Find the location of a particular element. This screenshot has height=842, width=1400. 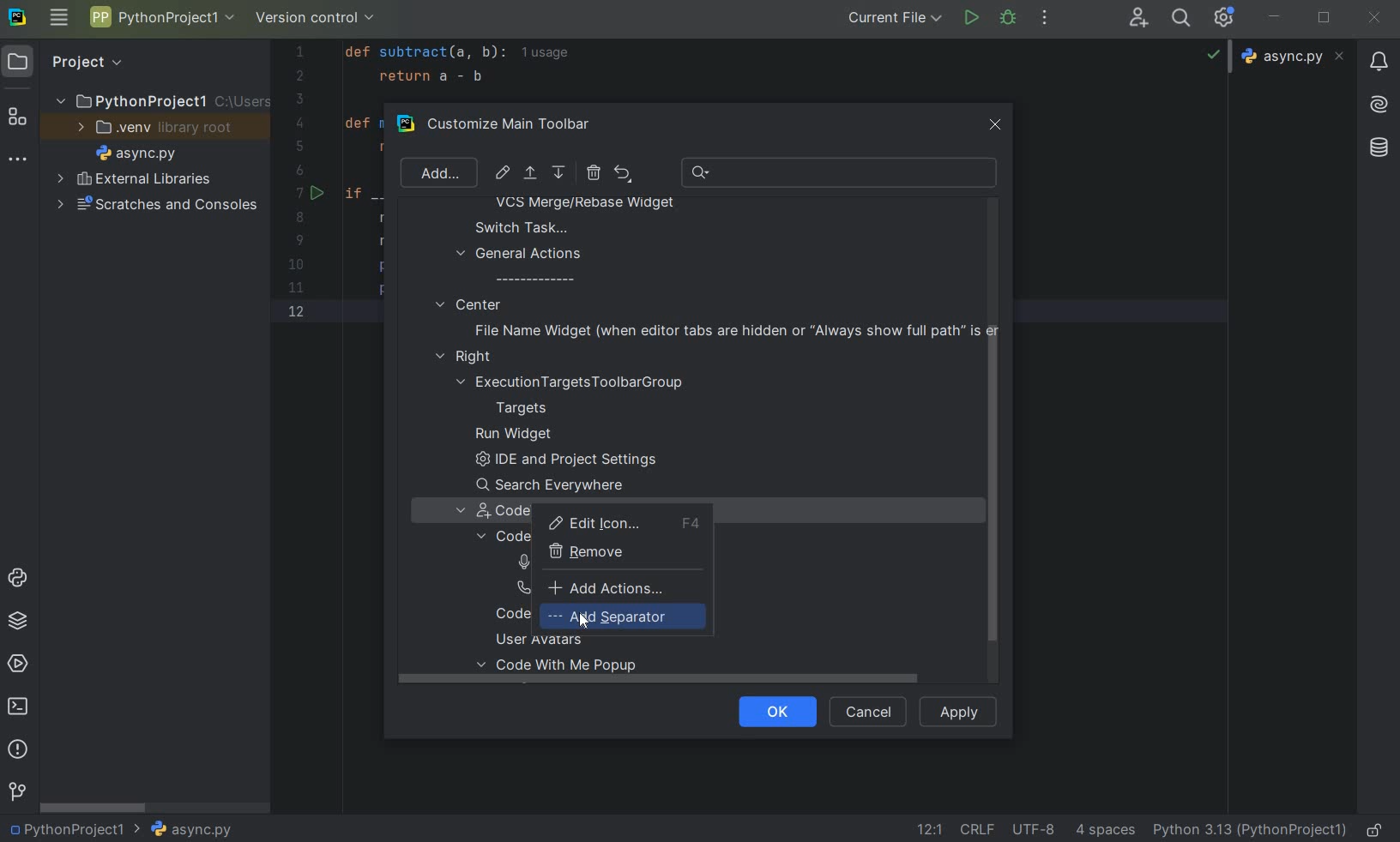

apply is located at coordinates (959, 711).